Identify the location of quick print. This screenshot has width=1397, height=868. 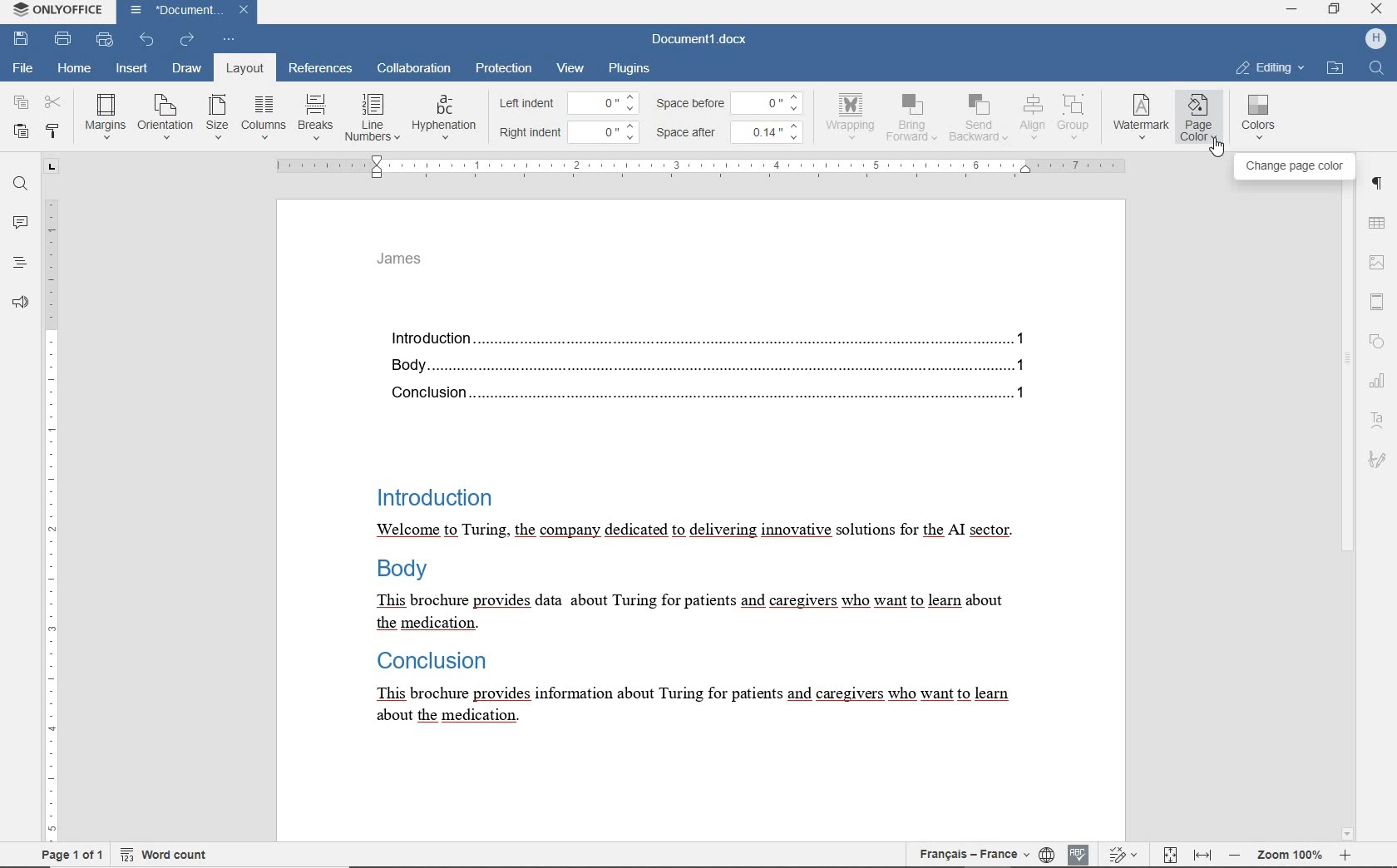
(105, 41).